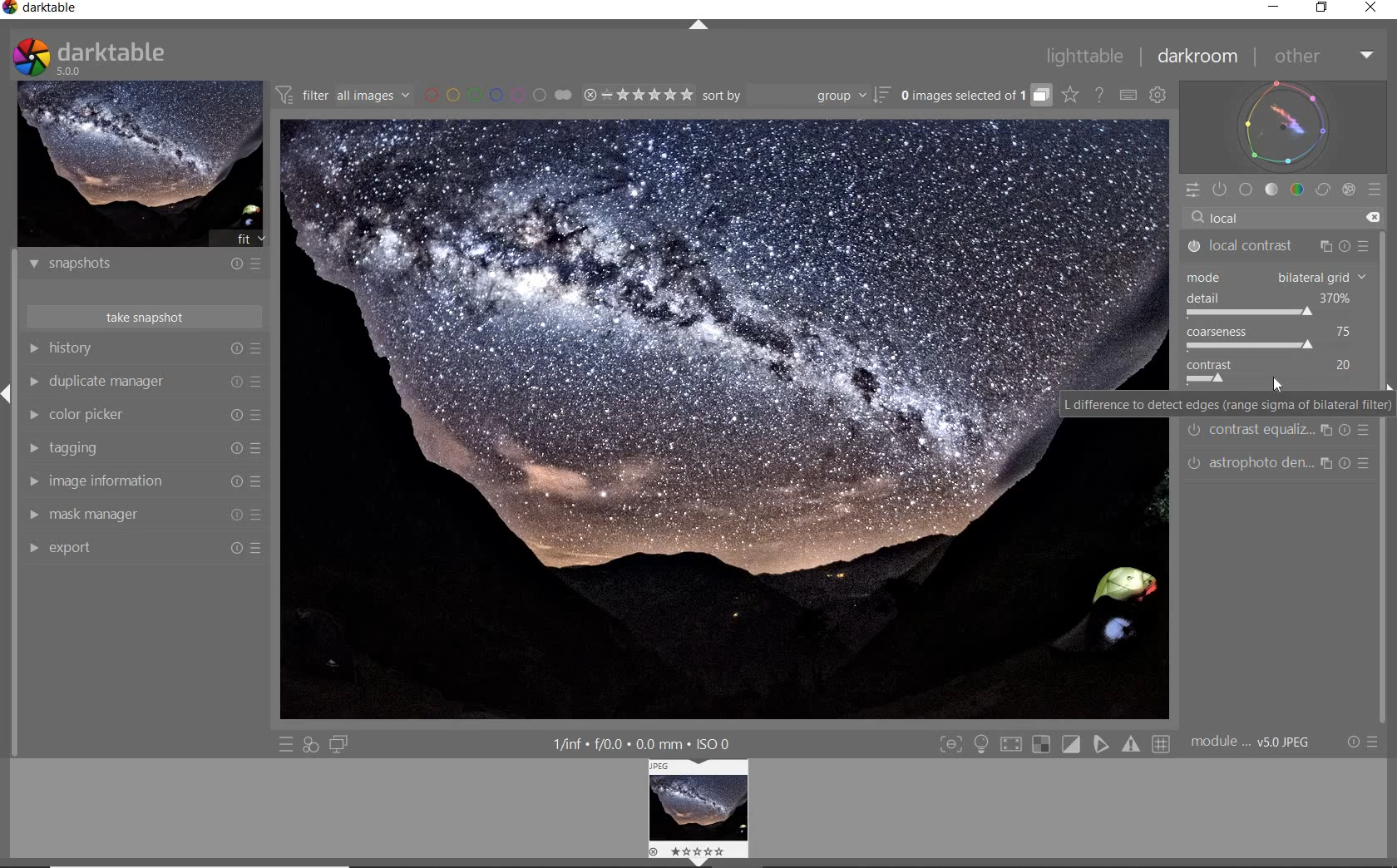 This screenshot has height=868, width=1397. I want to click on EXPAND, so click(8, 392).